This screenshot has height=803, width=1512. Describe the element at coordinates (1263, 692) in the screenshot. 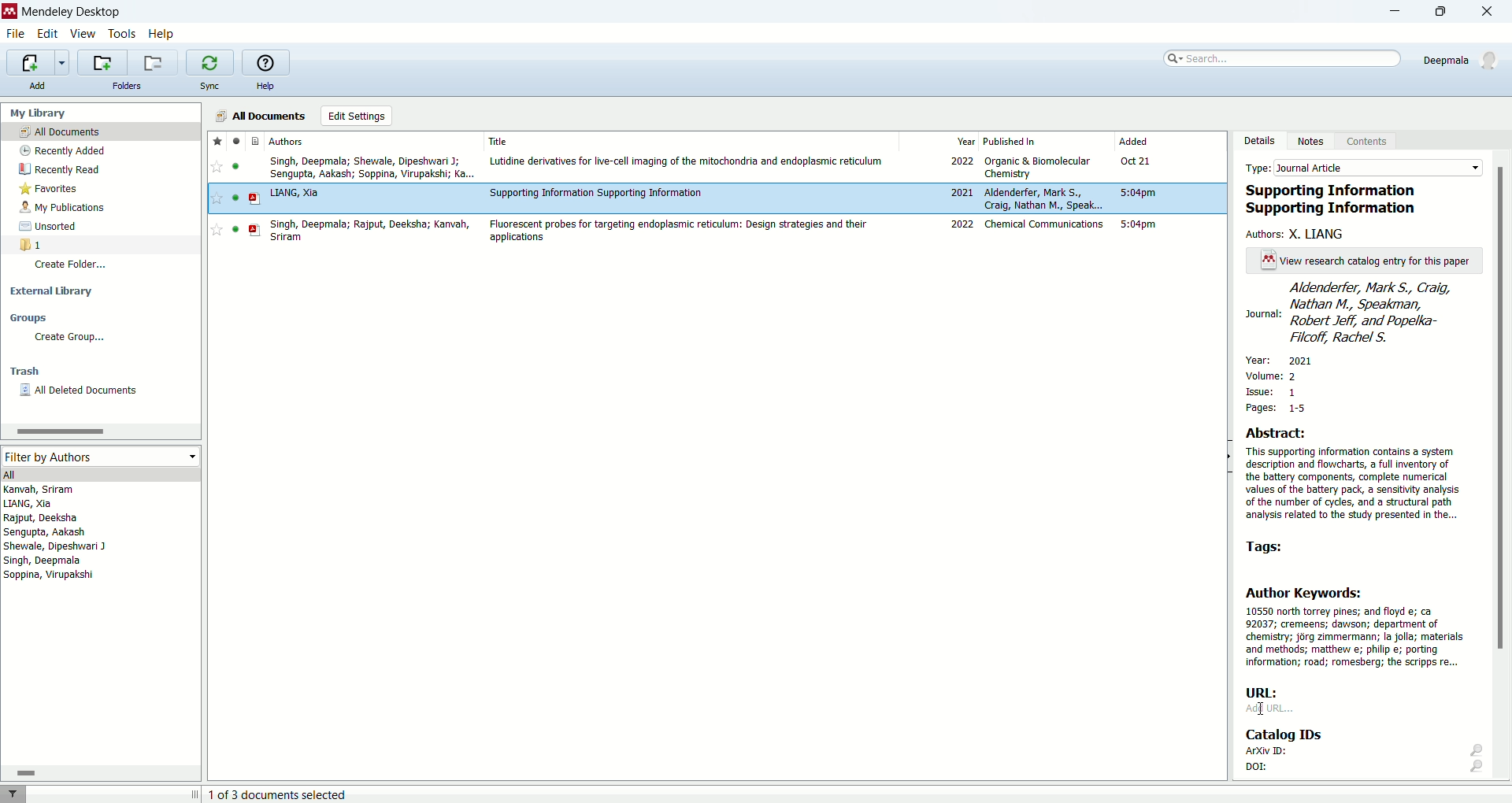

I see `URL:` at that location.